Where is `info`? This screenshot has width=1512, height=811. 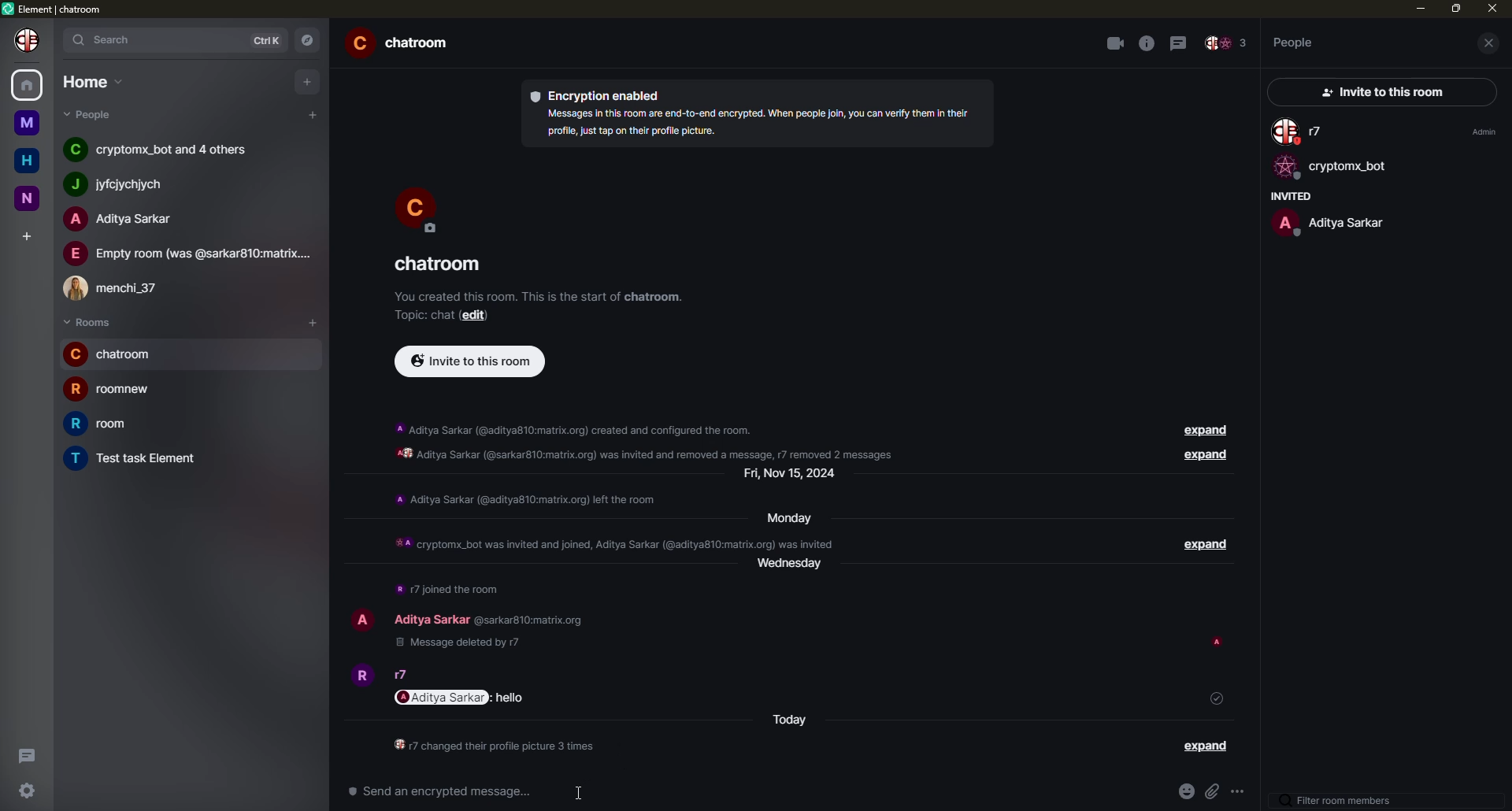
info is located at coordinates (652, 441).